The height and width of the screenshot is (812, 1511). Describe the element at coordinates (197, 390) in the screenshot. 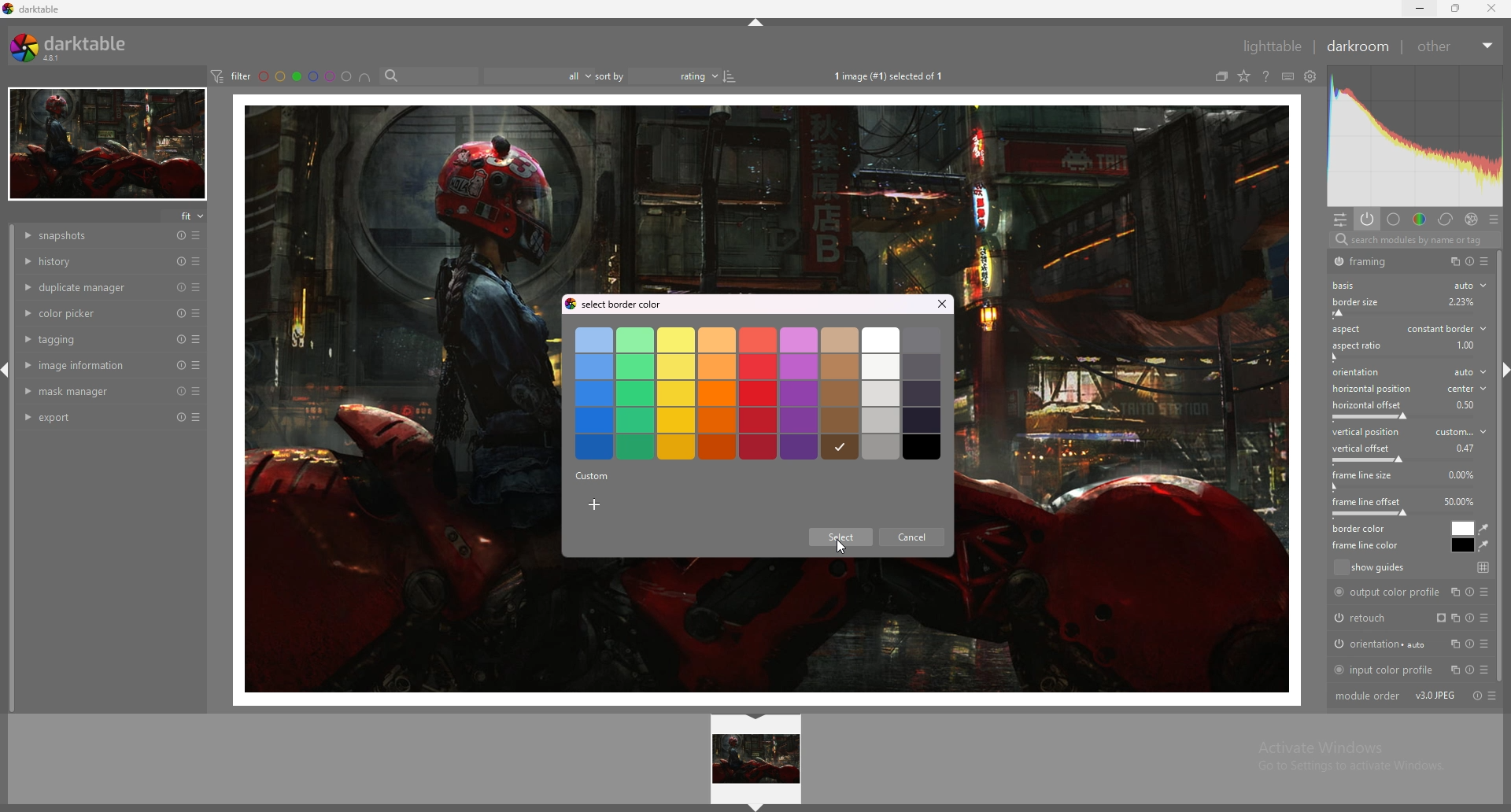

I see `presets` at that location.